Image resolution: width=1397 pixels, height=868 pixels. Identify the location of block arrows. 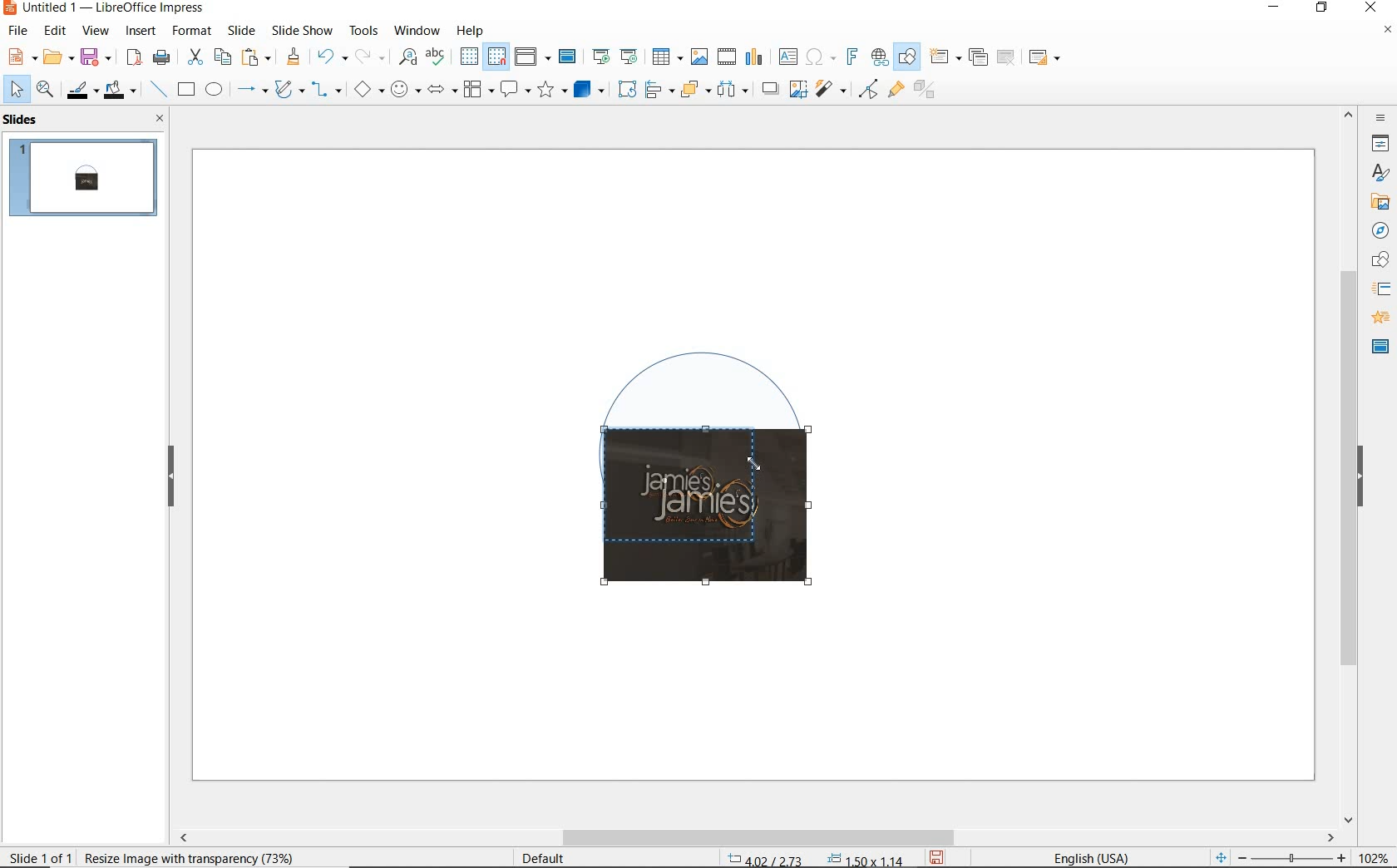
(439, 91).